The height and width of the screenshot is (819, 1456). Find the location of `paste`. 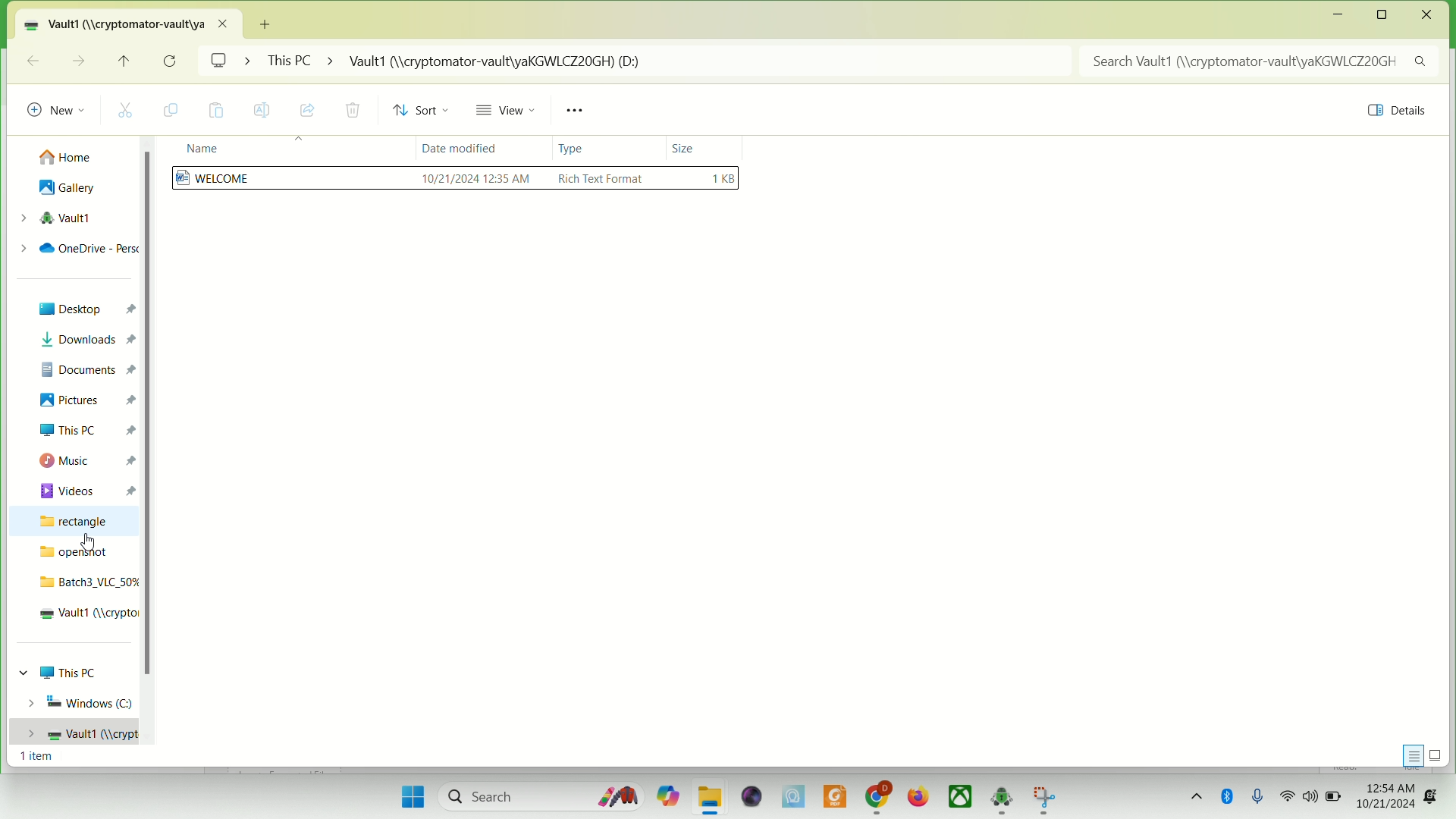

paste is located at coordinates (217, 111).